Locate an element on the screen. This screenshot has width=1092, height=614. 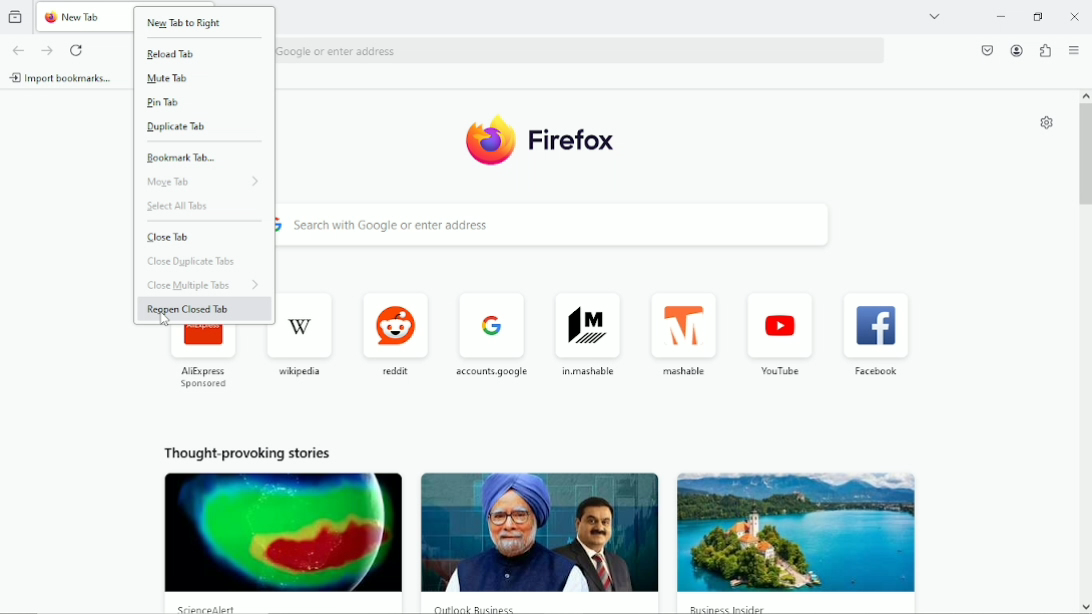
search bar is located at coordinates (559, 225).